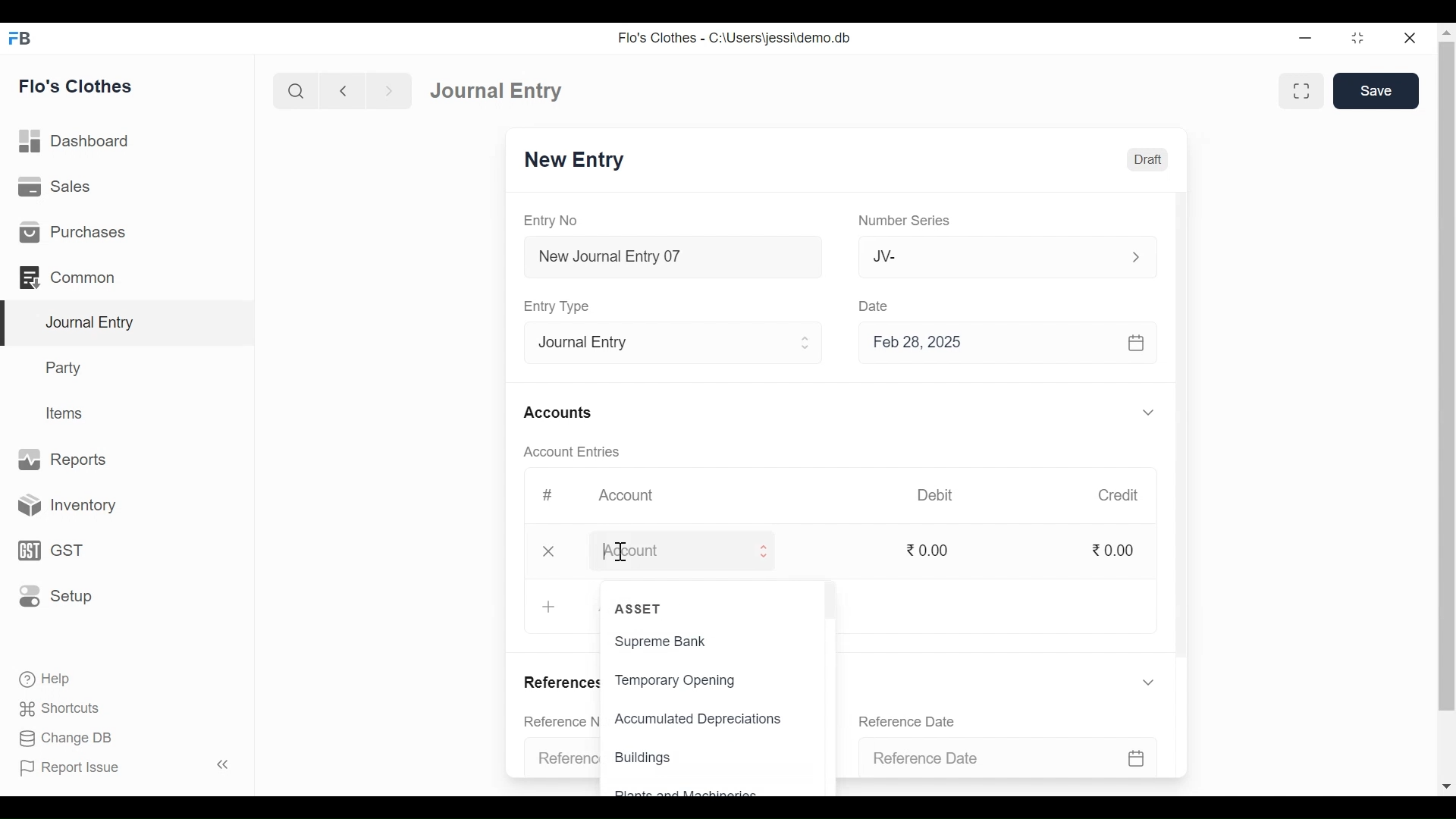 This screenshot has height=819, width=1456. I want to click on Buildings, so click(647, 758).